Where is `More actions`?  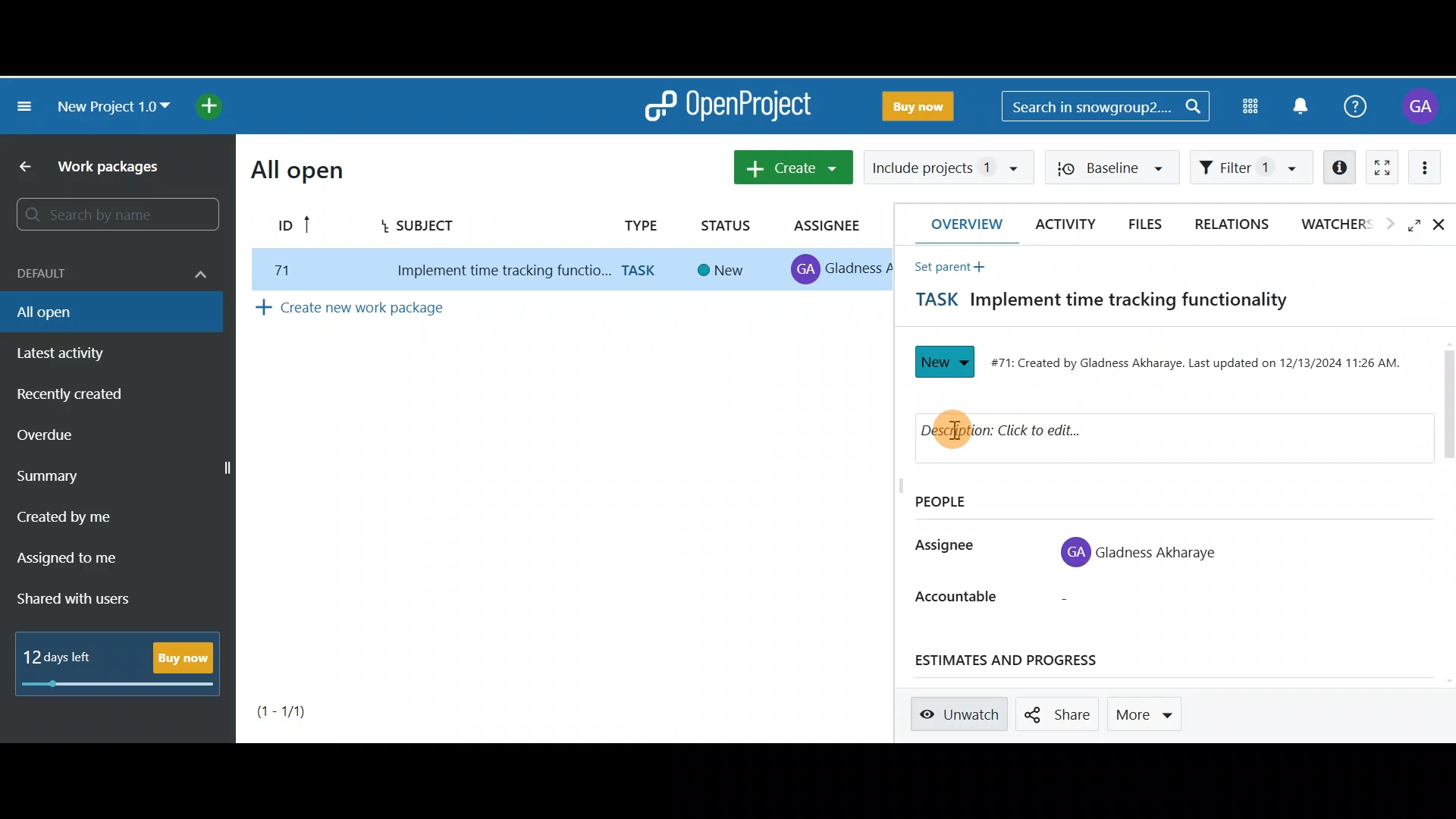 More actions is located at coordinates (1433, 168).